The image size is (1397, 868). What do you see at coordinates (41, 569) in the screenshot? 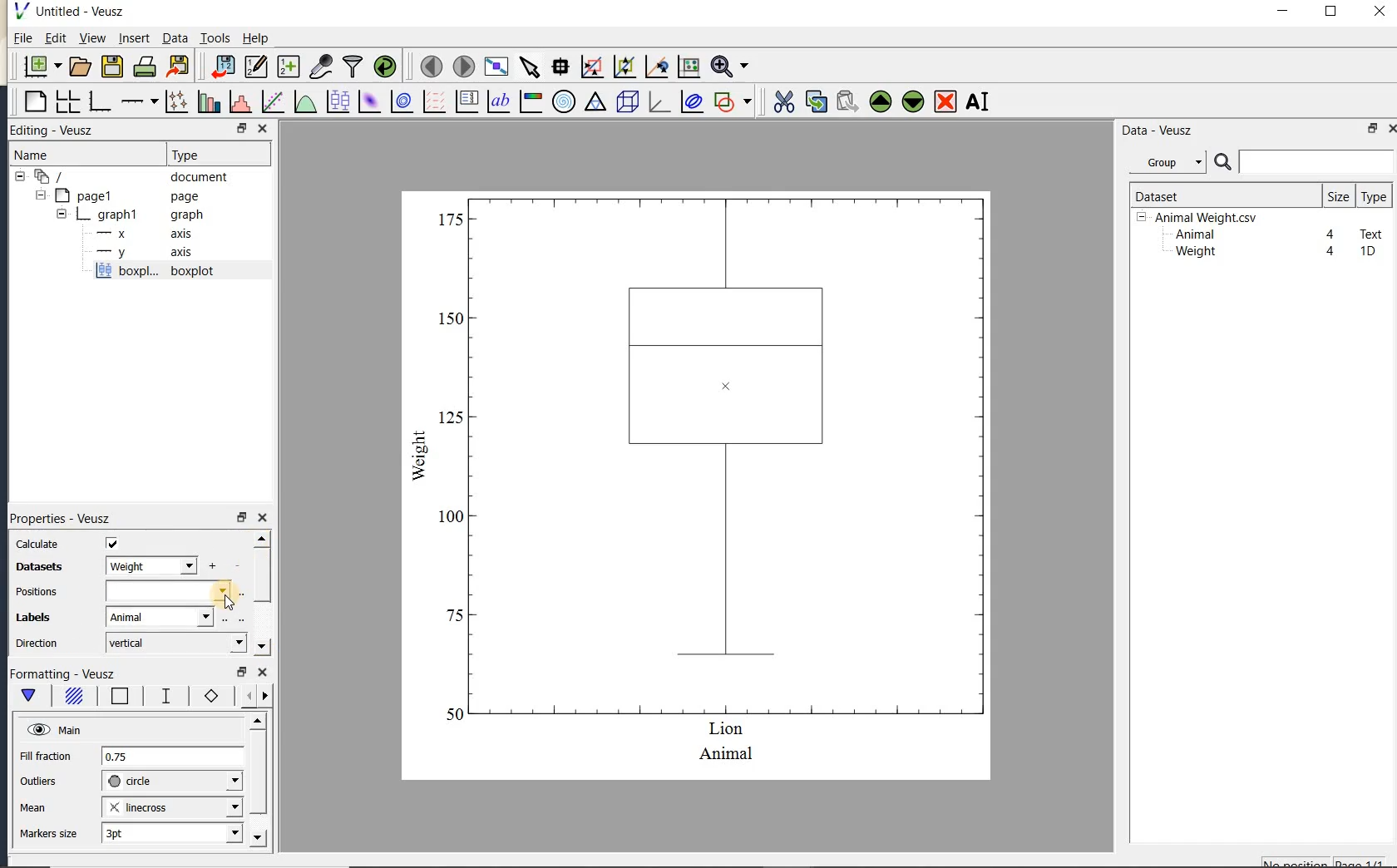
I see `datasets` at bounding box center [41, 569].